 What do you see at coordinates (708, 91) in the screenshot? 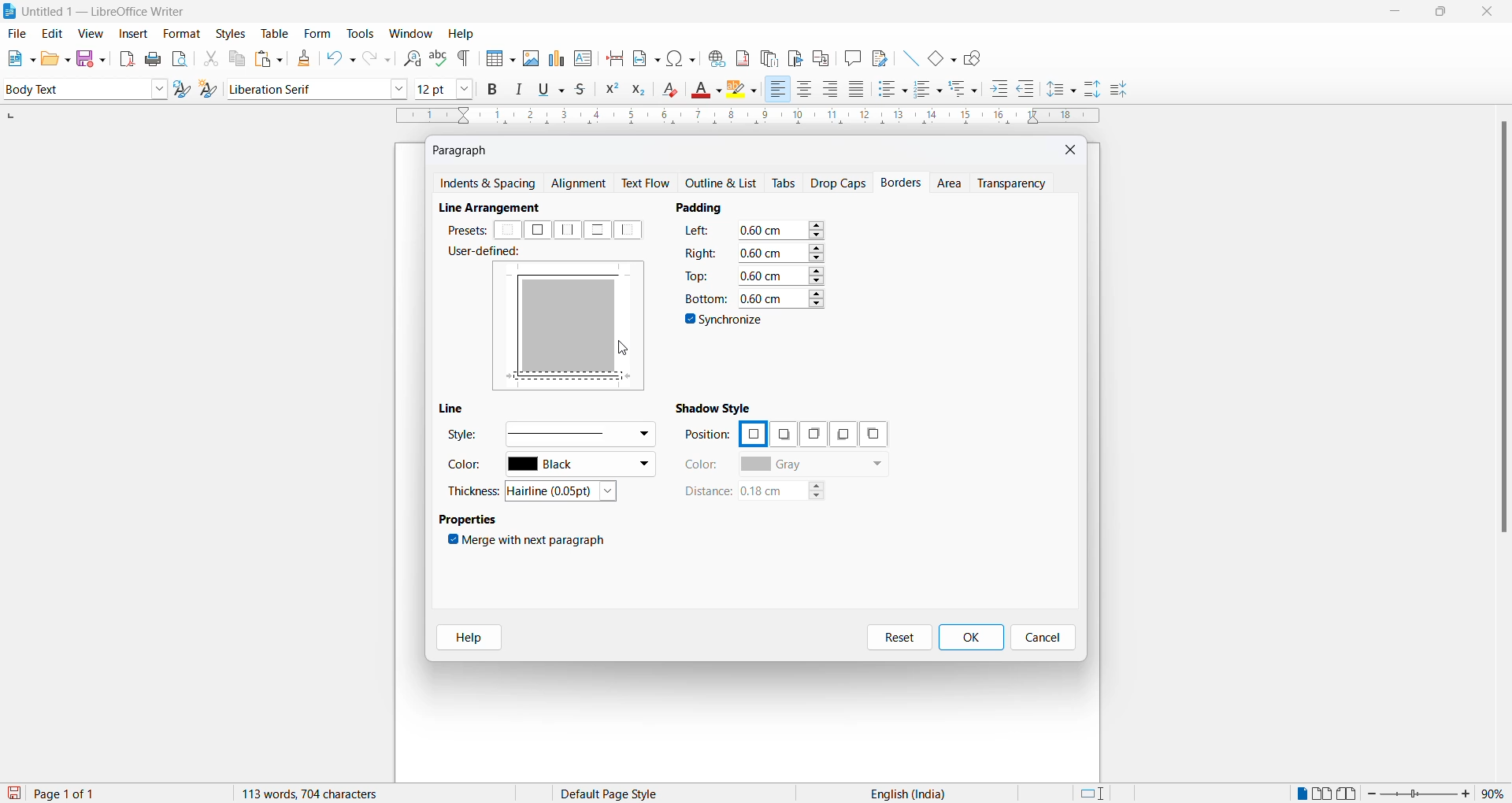
I see `font color` at bounding box center [708, 91].